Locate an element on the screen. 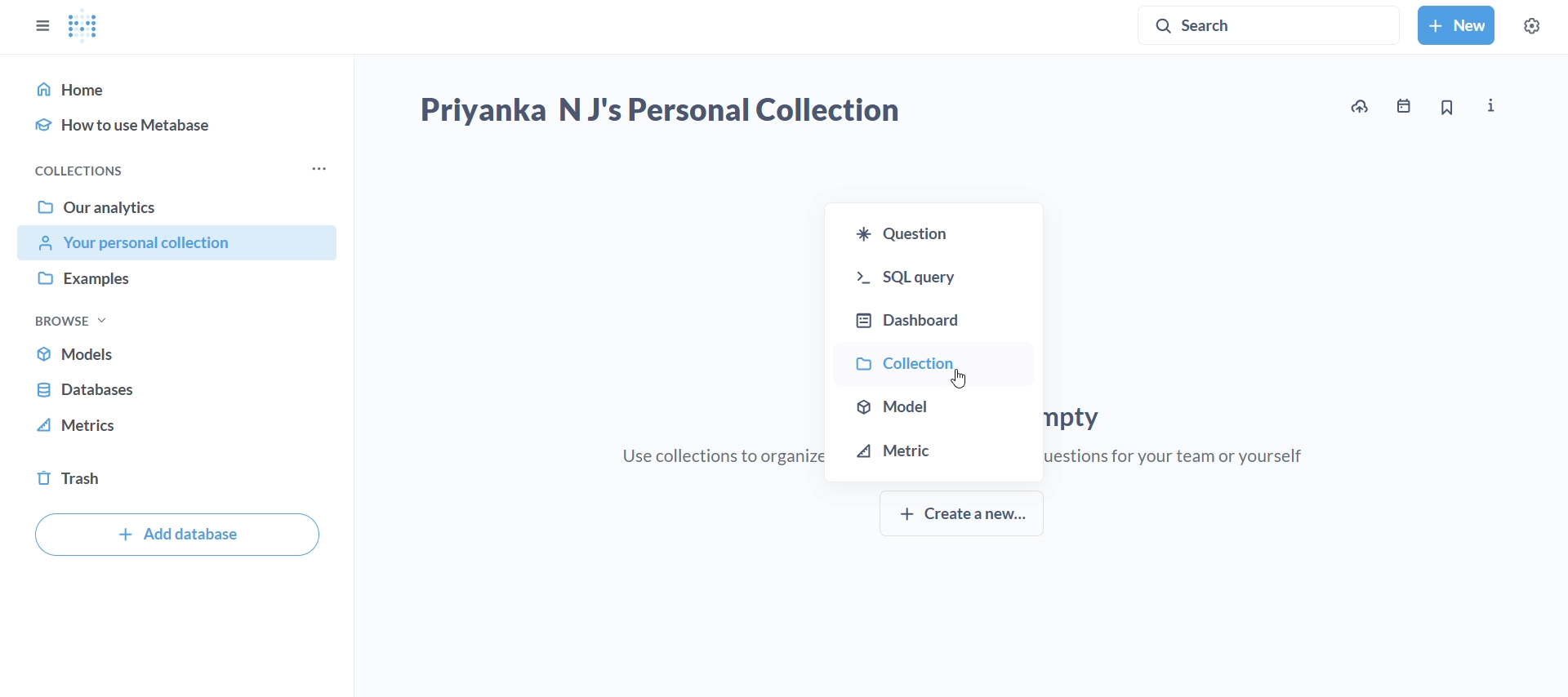 The image size is (1568, 697). more info is located at coordinates (1490, 107).